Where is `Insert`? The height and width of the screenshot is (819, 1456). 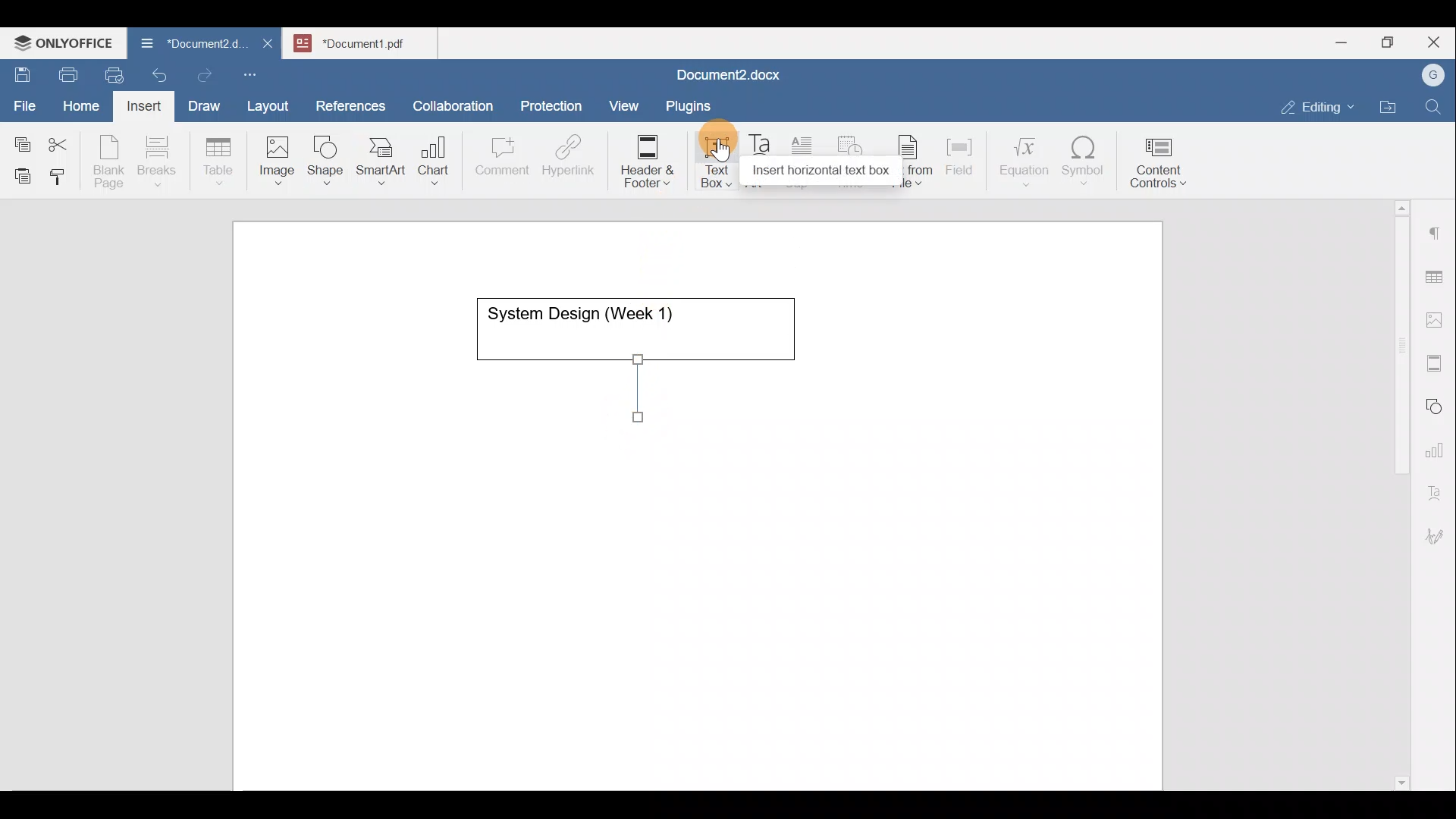 Insert is located at coordinates (140, 103).